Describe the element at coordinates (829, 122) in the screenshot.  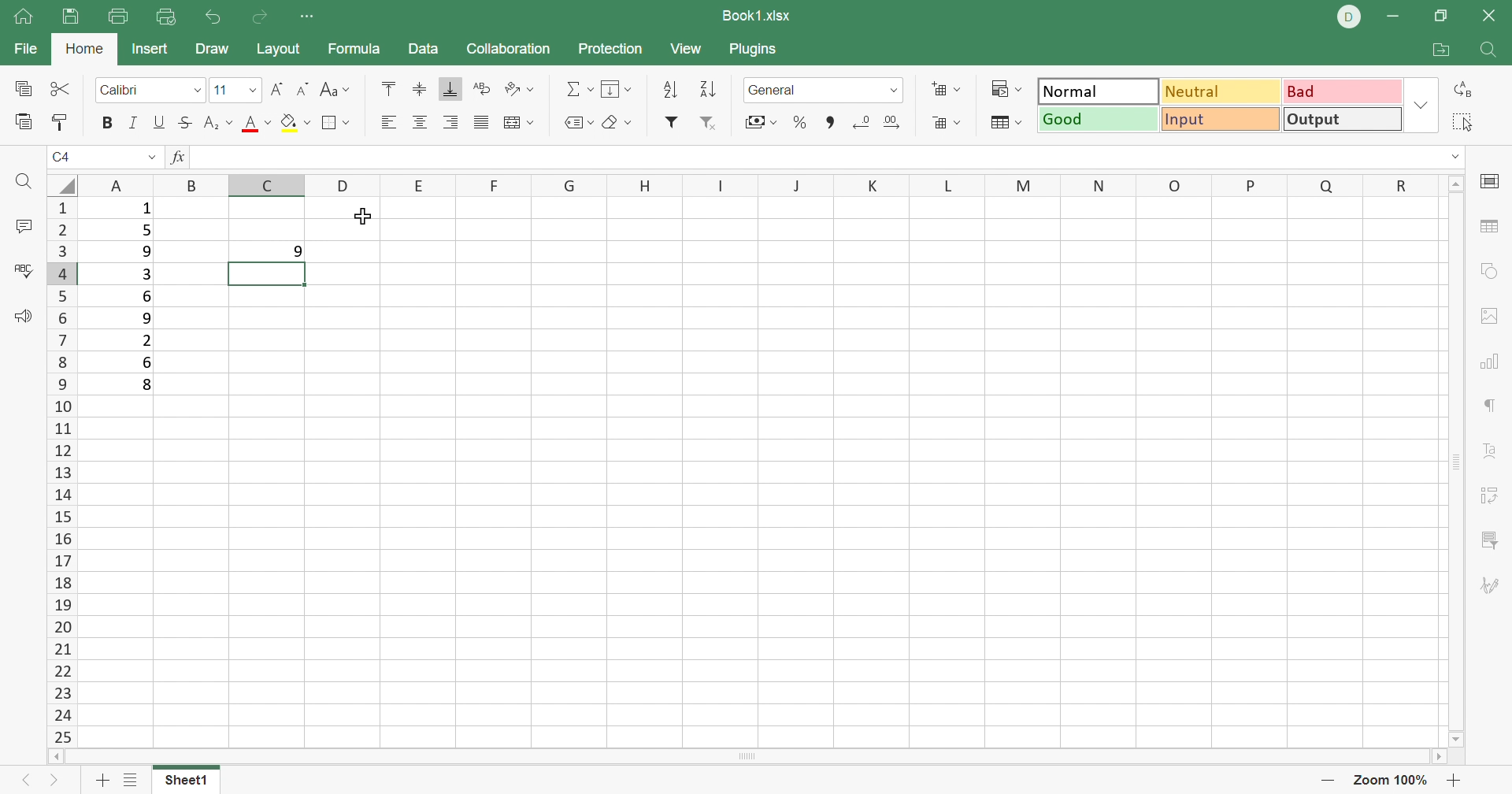
I see `Scroll Bar` at that location.